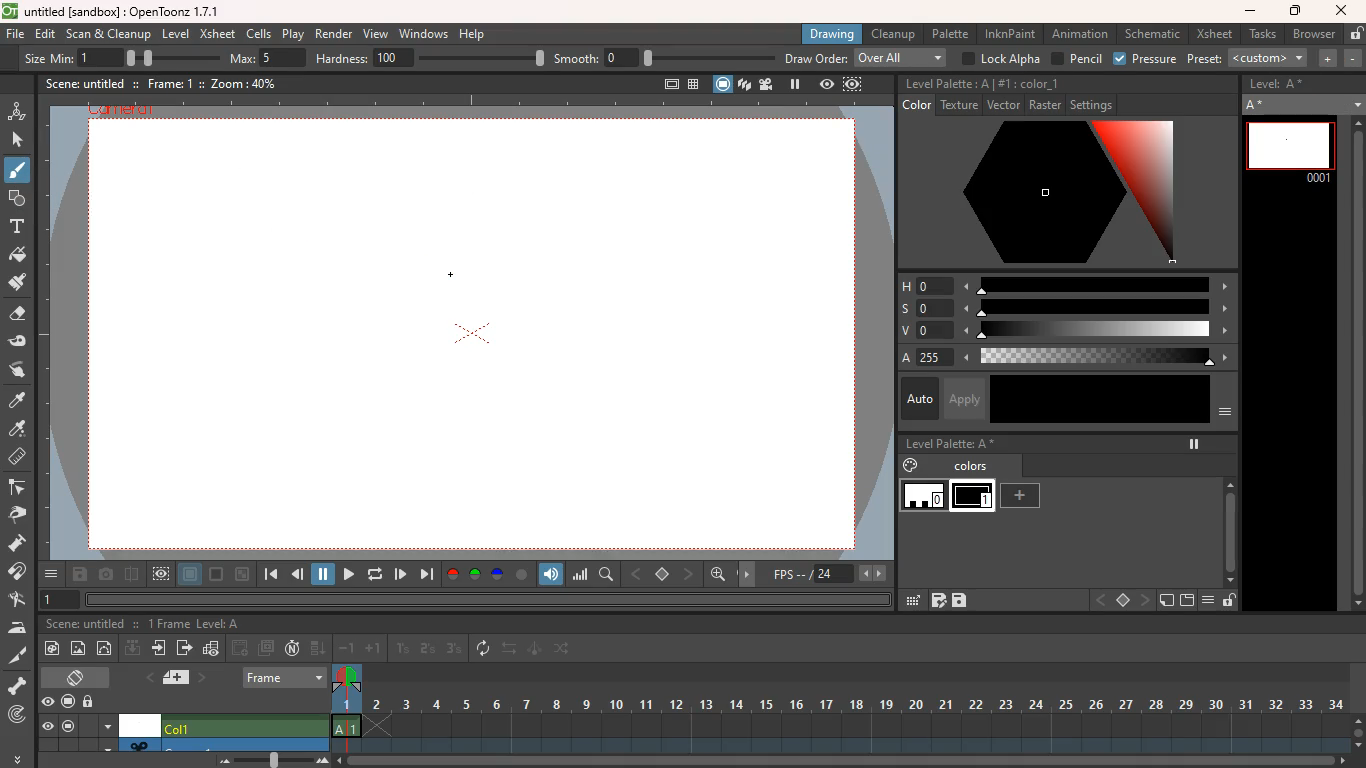 This screenshot has height=768, width=1366. Describe the element at coordinates (918, 332) in the screenshot. I see `v 0` at that location.